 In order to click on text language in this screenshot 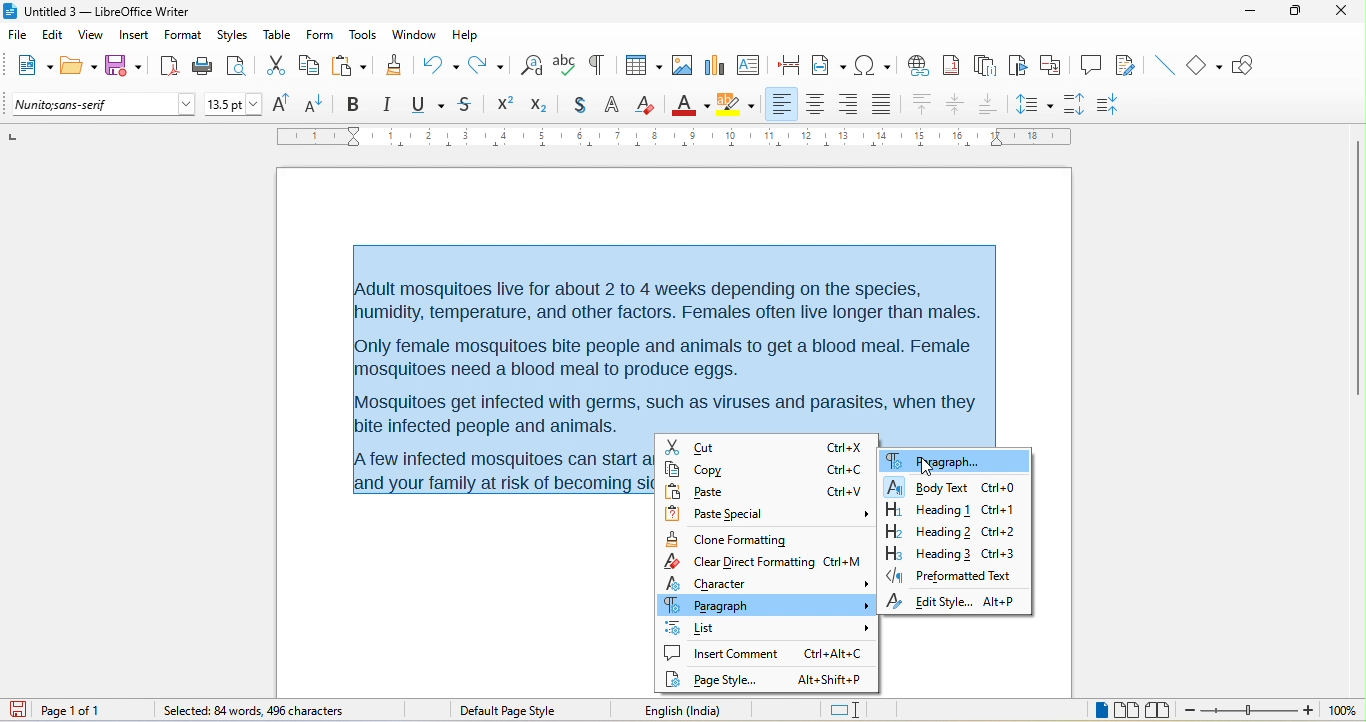, I will do `click(710, 710)`.